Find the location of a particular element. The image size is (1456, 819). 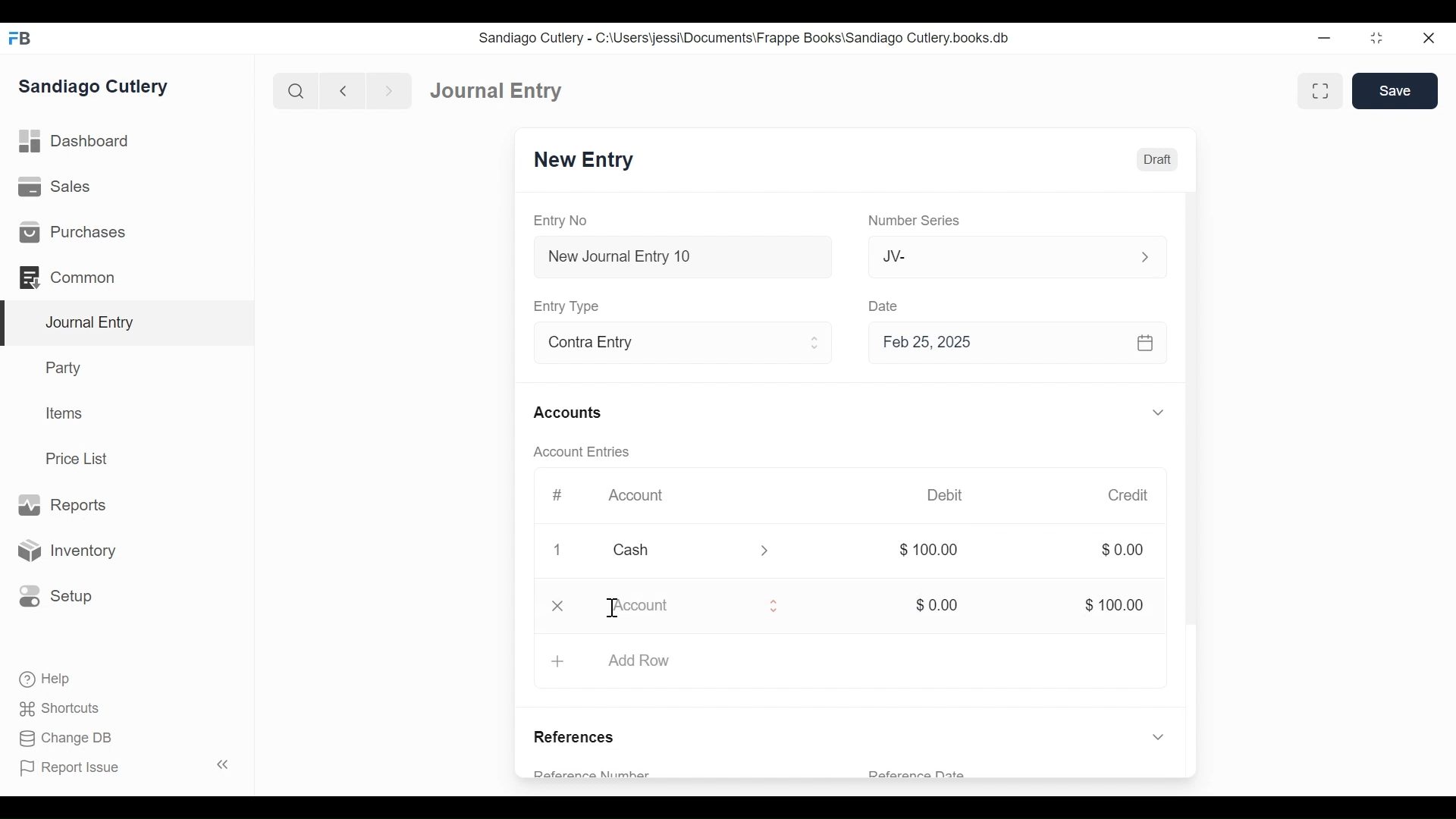

Frappe Books Desktop icon is located at coordinates (19, 38).